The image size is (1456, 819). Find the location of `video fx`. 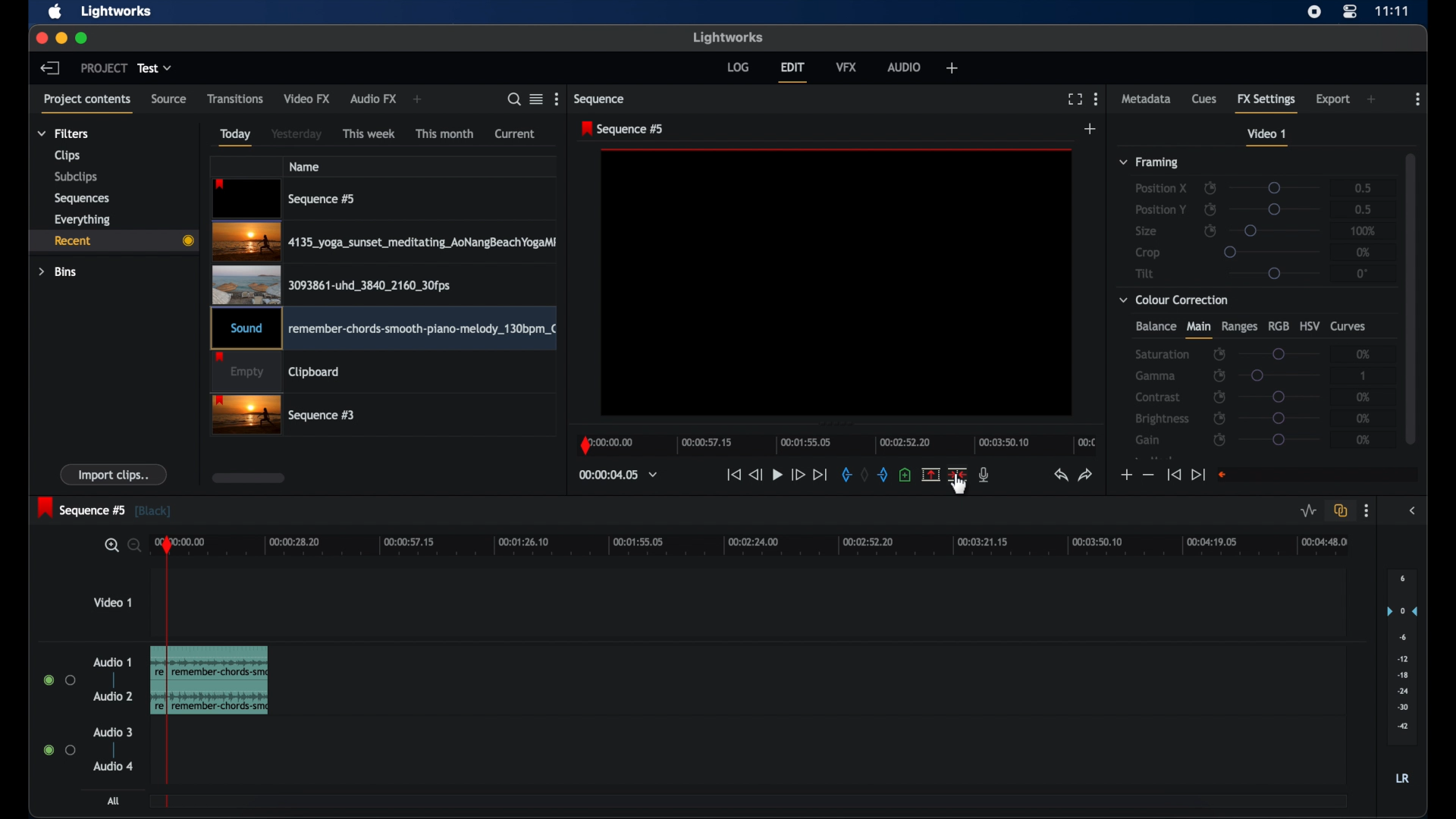

video fx is located at coordinates (308, 99).